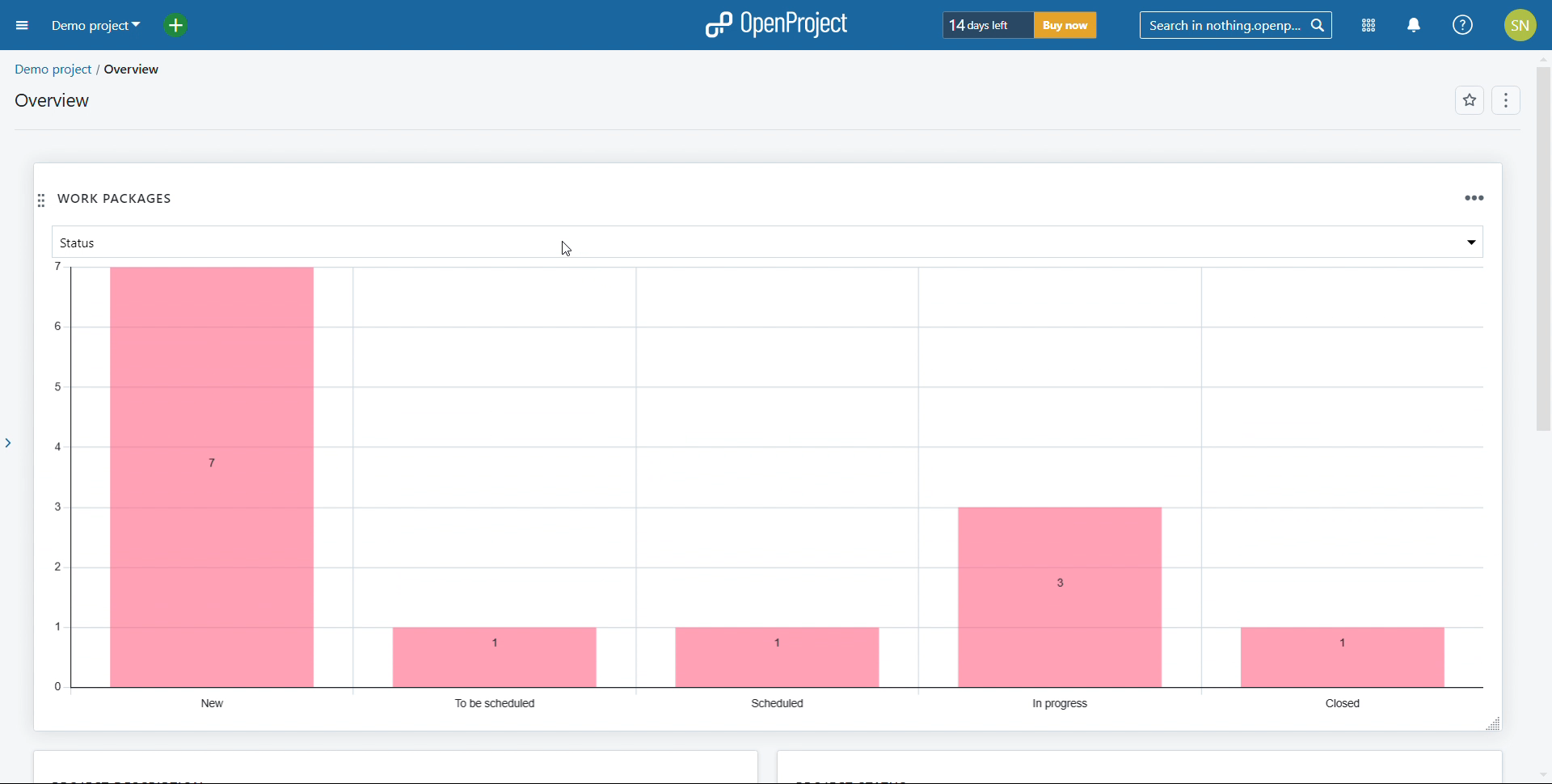 The image size is (1552, 784). What do you see at coordinates (41, 200) in the screenshot?
I see `move` at bounding box center [41, 200].